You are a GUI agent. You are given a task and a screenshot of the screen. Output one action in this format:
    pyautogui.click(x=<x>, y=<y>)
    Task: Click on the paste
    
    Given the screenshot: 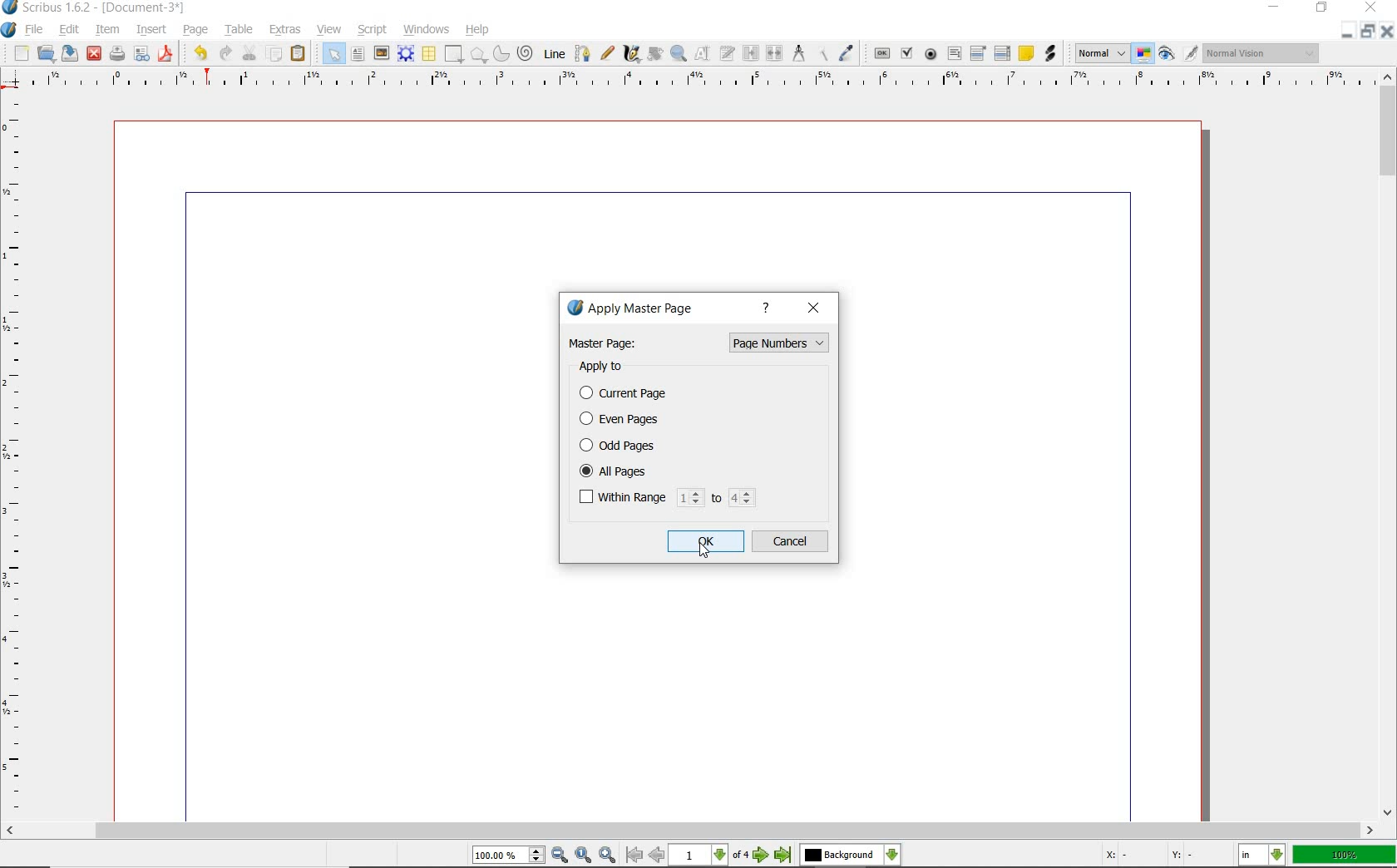 What is the action you would take?
    pyautogui.click(x=298, y=53)
    